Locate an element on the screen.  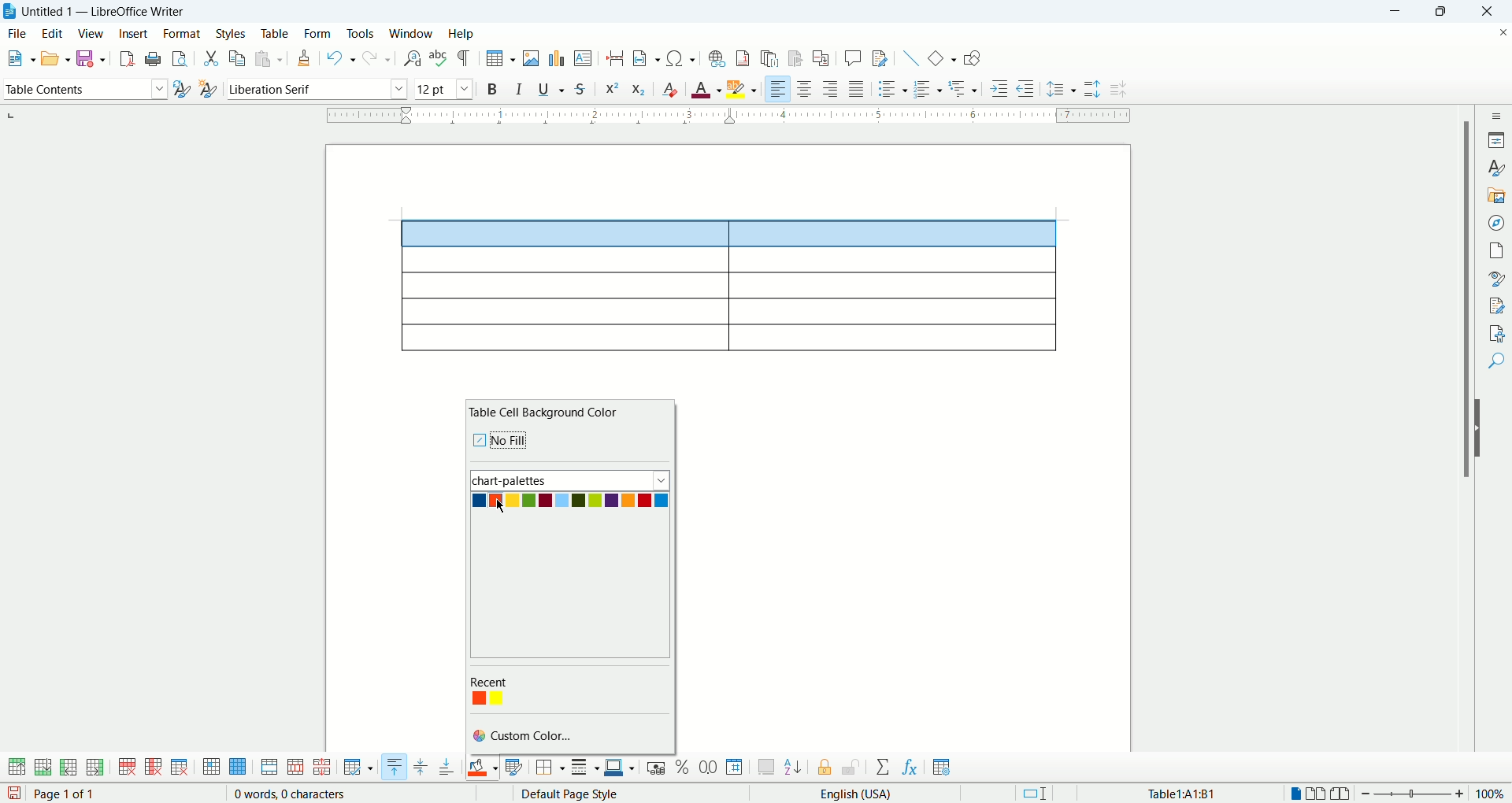
insert line is located at coordinates (911, 57).